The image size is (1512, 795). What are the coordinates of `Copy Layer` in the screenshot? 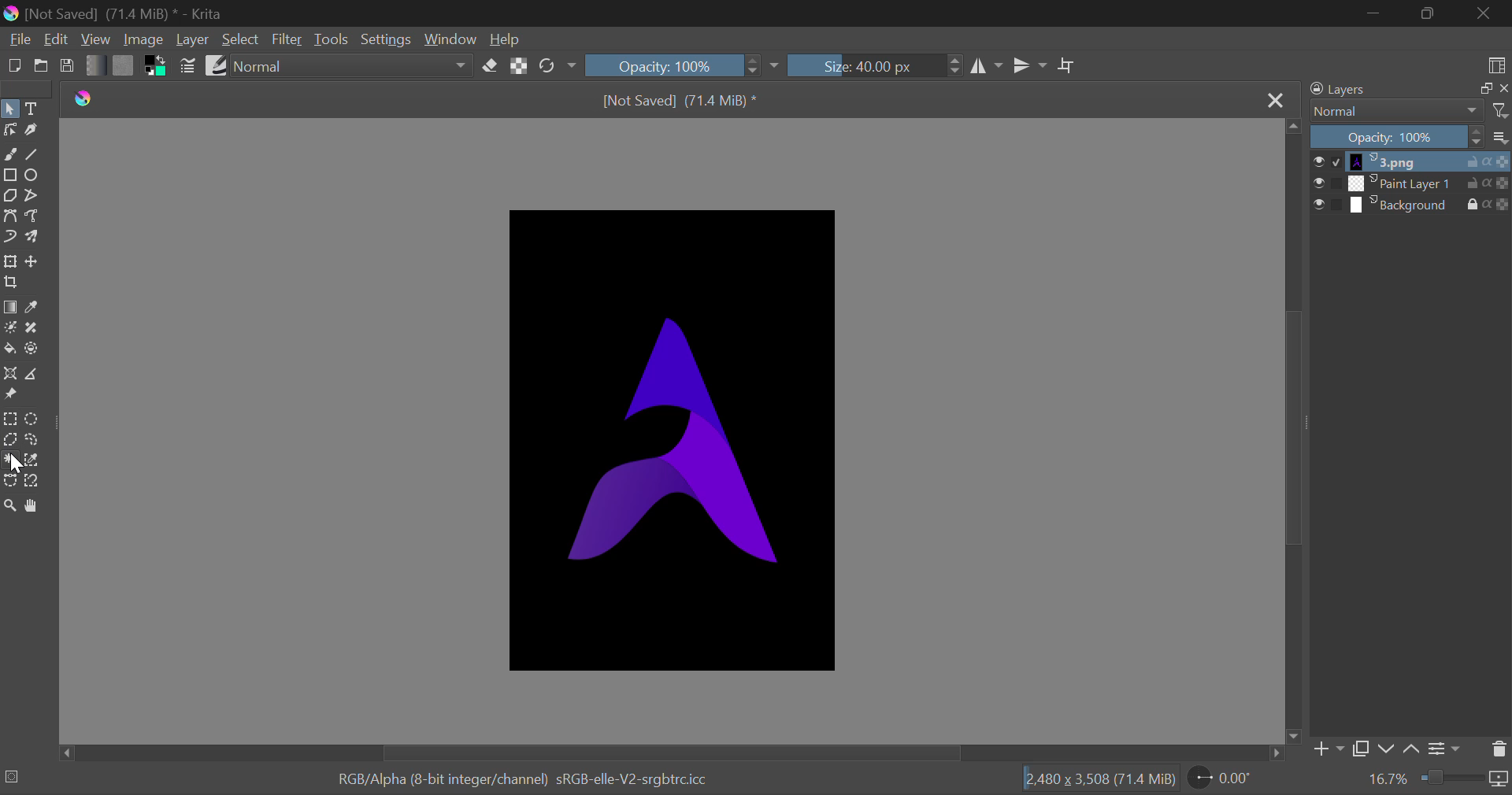 It's located at (1362, 750).